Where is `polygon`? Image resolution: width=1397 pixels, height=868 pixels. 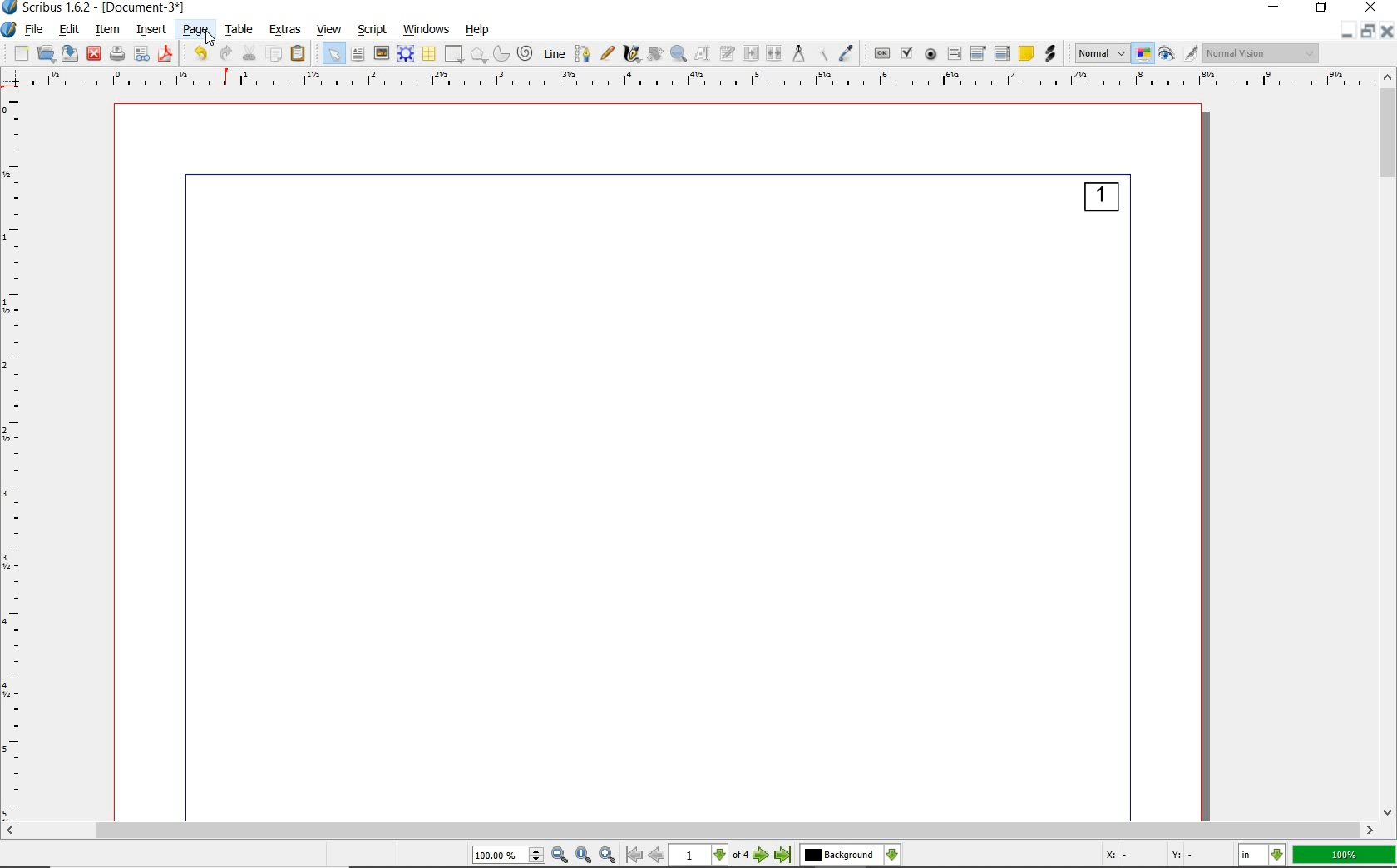 polygon is located at coordinates (481, 54).